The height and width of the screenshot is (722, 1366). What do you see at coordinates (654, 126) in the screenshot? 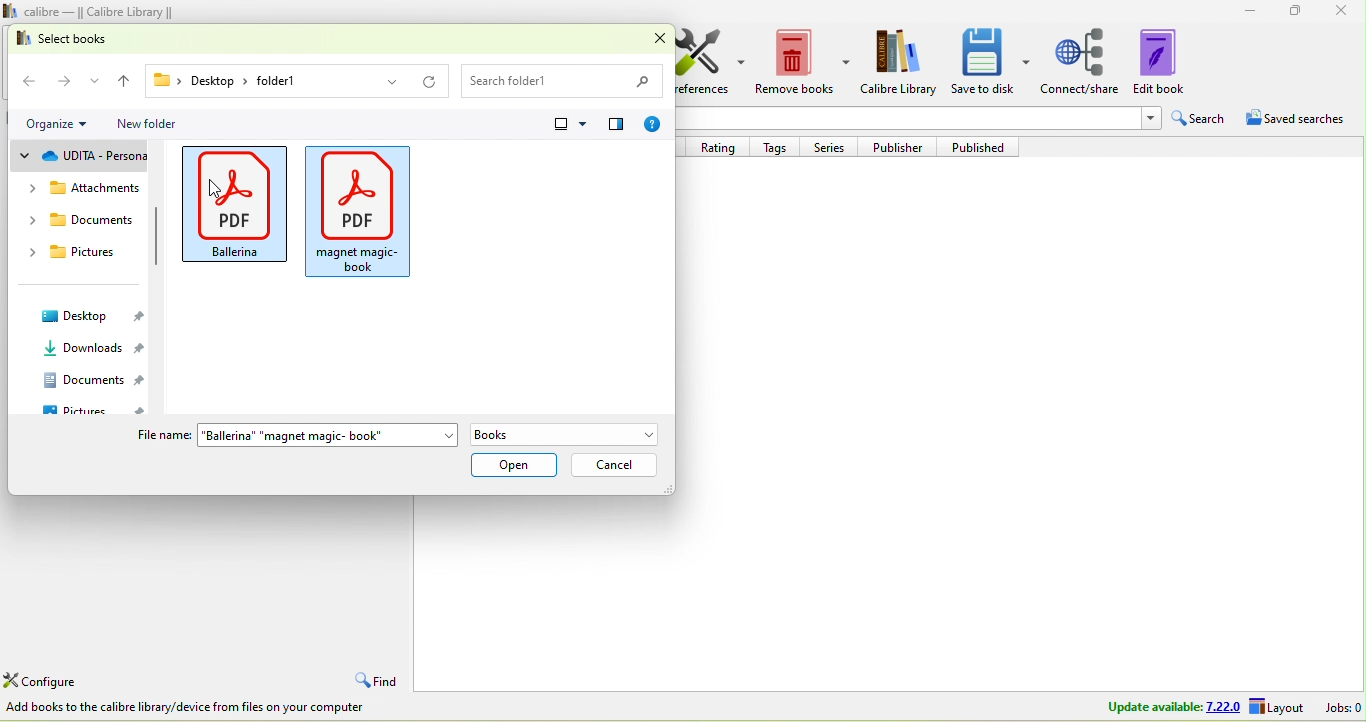
I see `?` at bounding box center [654, 126].